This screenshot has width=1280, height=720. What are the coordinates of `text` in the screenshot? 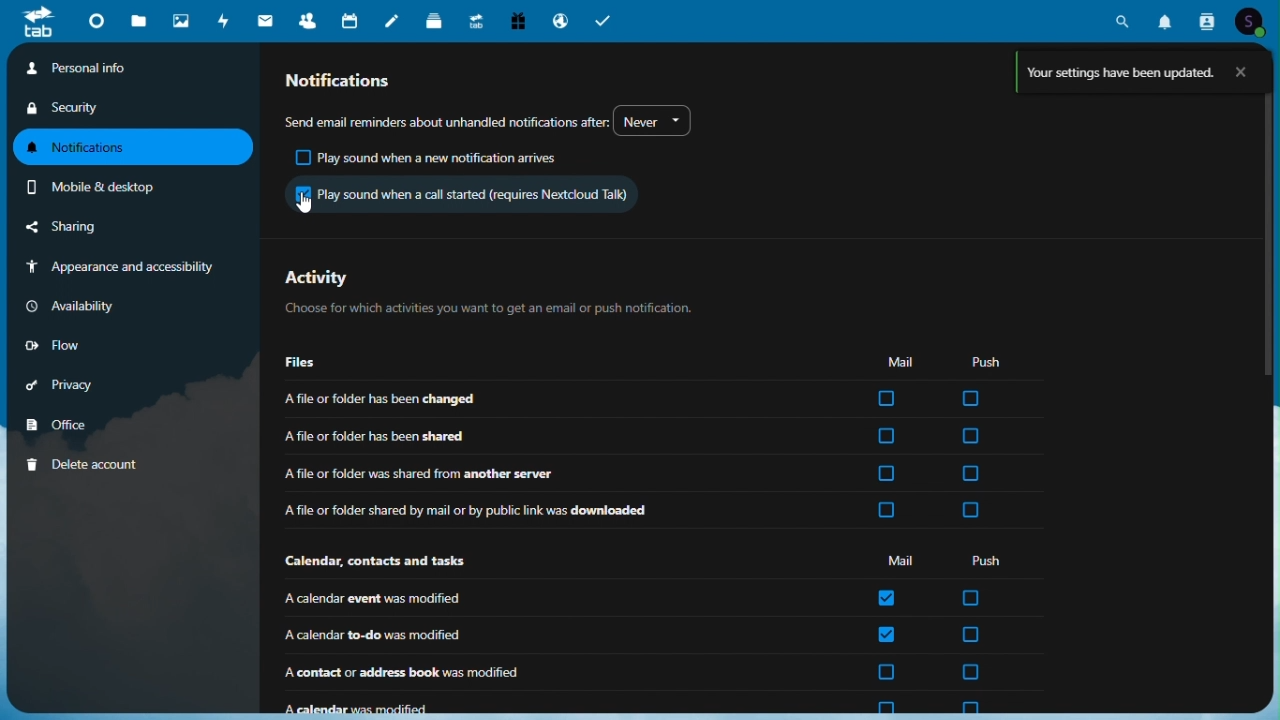 It's located at (446, 119).